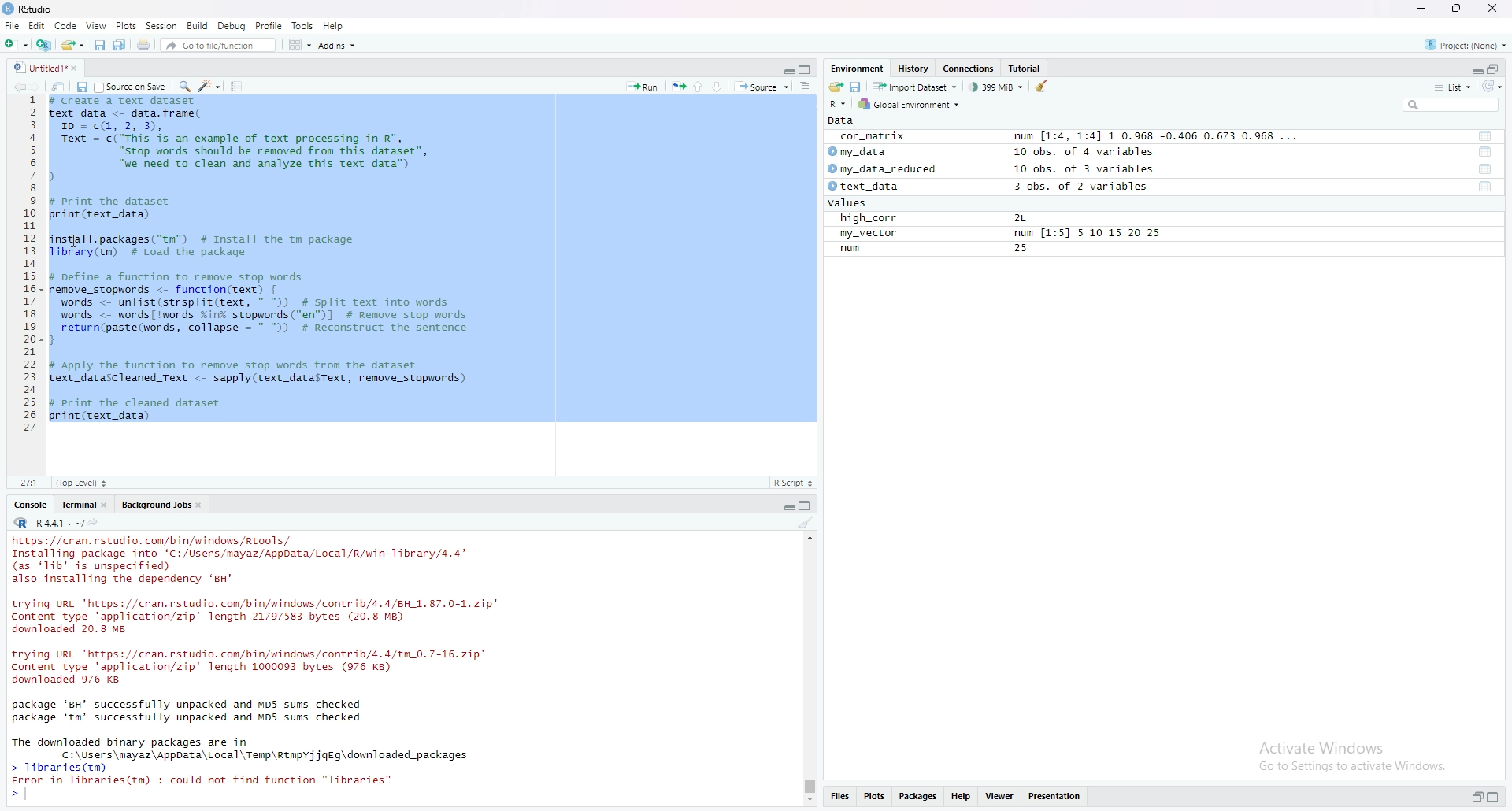 This screenshot has width=1512, height=811. I want to click on go to previous section, so click(700, 85).